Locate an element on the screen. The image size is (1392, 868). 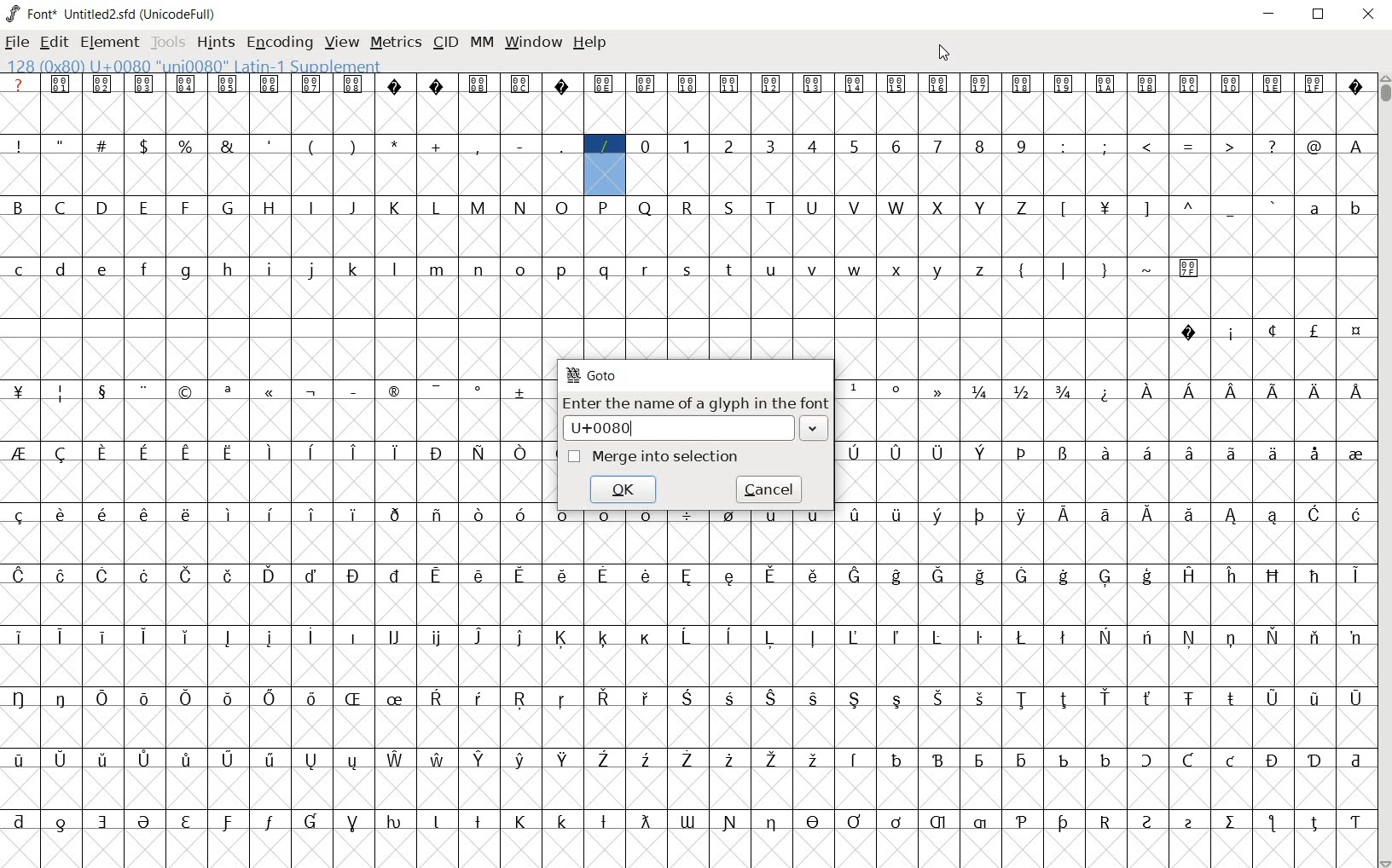
glyph is located at coordinates (855, 453).